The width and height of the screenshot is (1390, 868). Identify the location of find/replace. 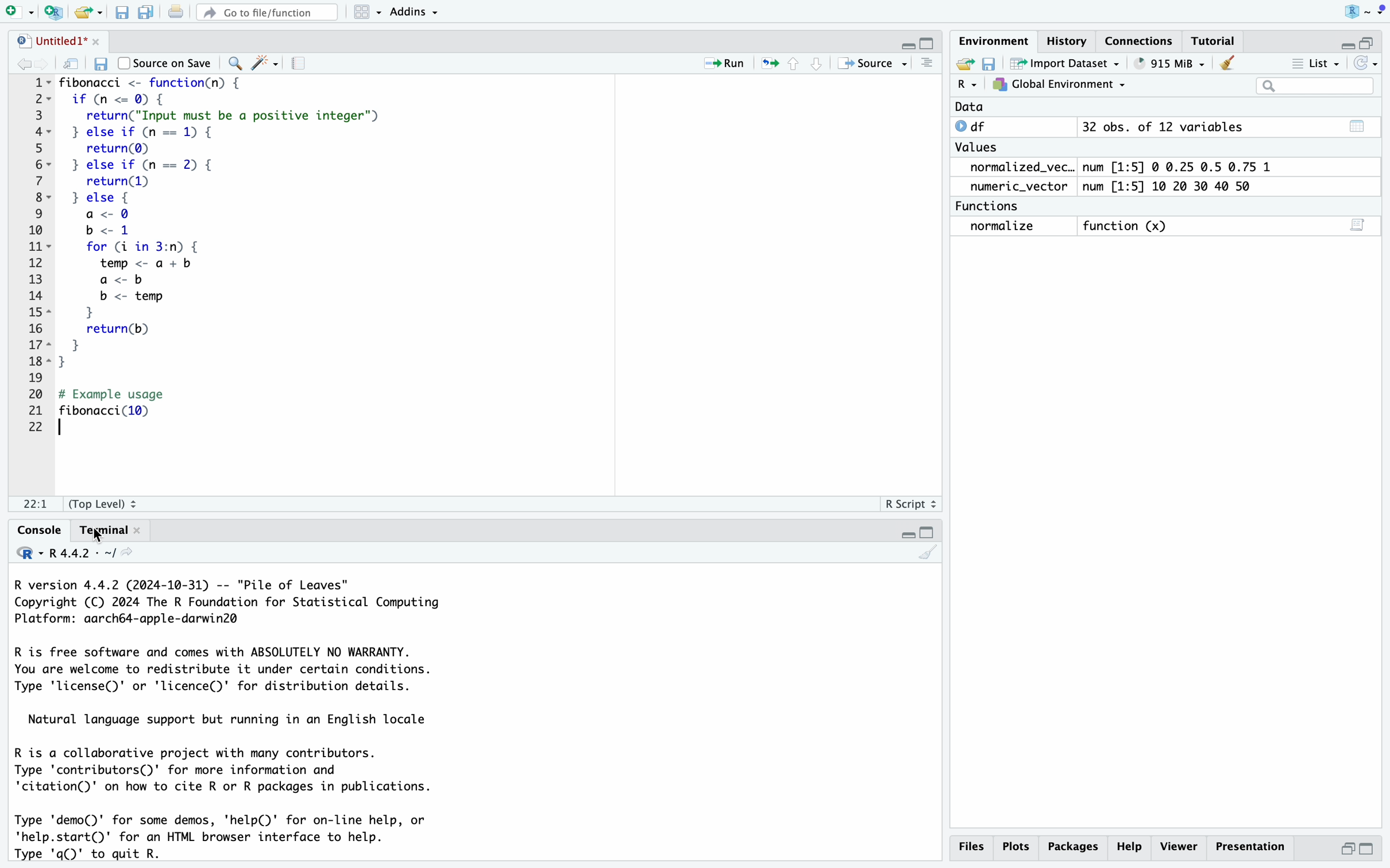
(234, 64).